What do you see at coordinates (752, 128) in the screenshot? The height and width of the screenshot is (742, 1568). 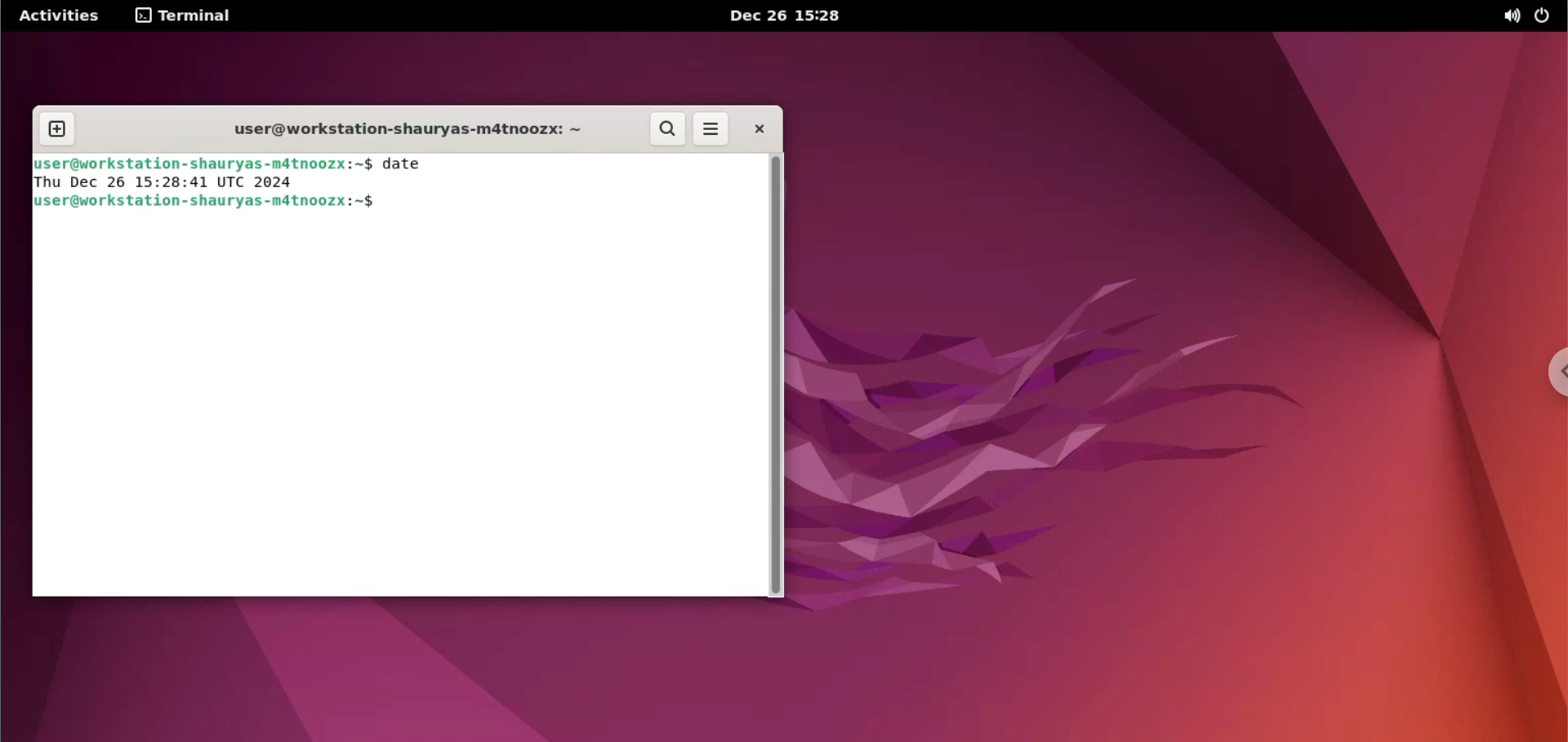 I see `close` at bounding box center [752, 128].